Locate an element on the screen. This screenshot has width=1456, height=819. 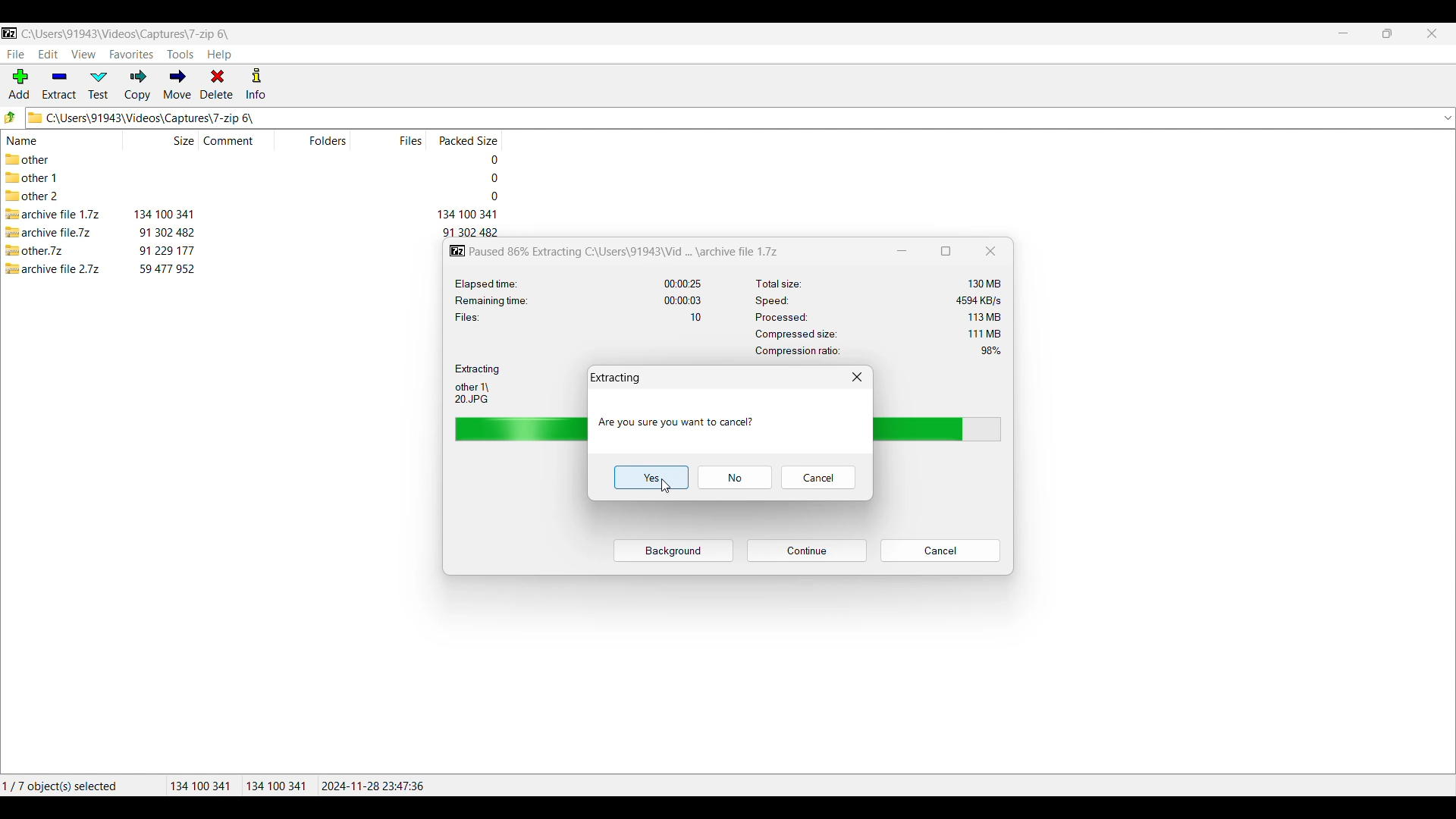
Pause is located at coordinates (807, 551).